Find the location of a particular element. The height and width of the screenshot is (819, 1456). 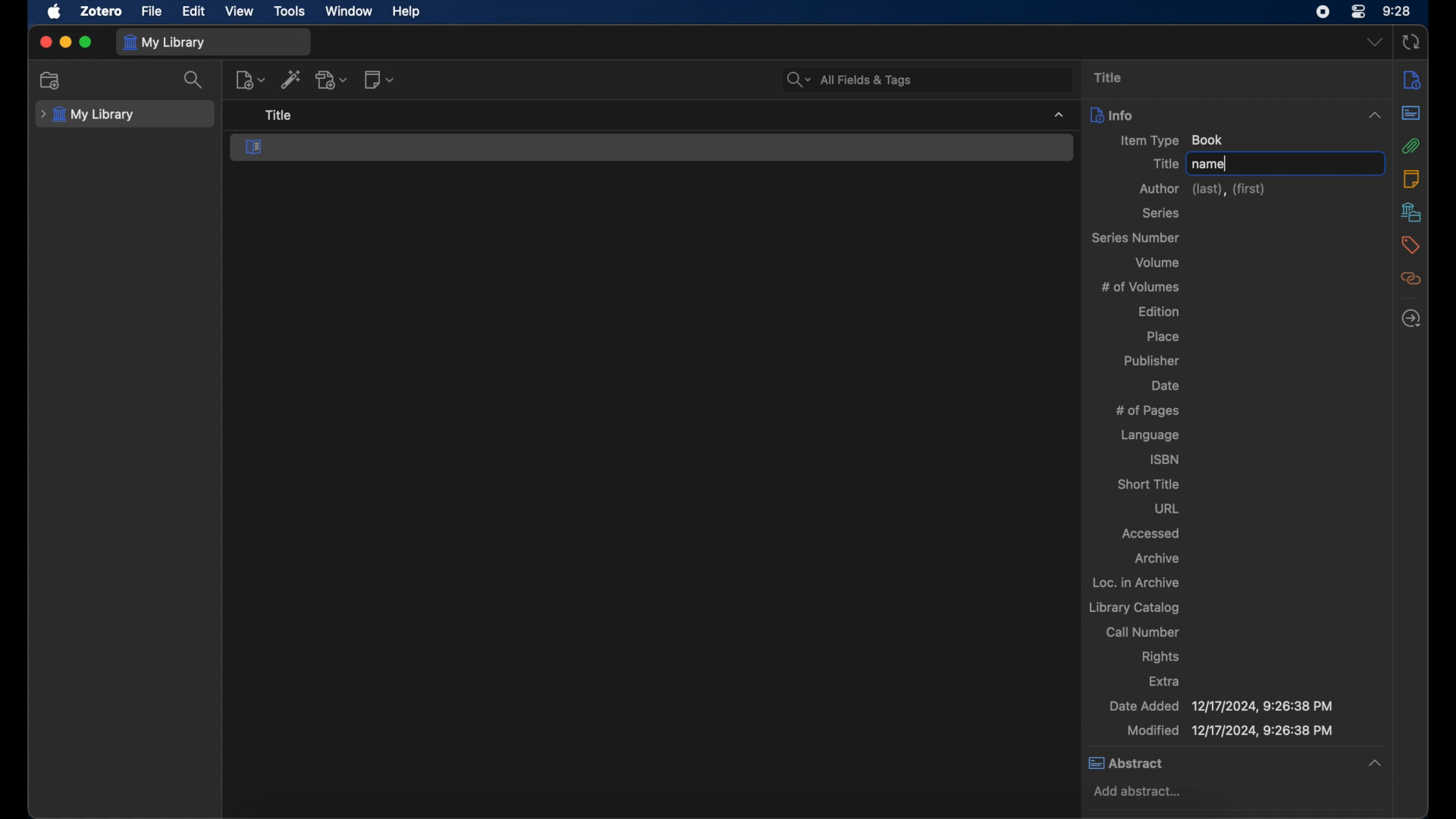

volume is located at coordinates (1157, 263).